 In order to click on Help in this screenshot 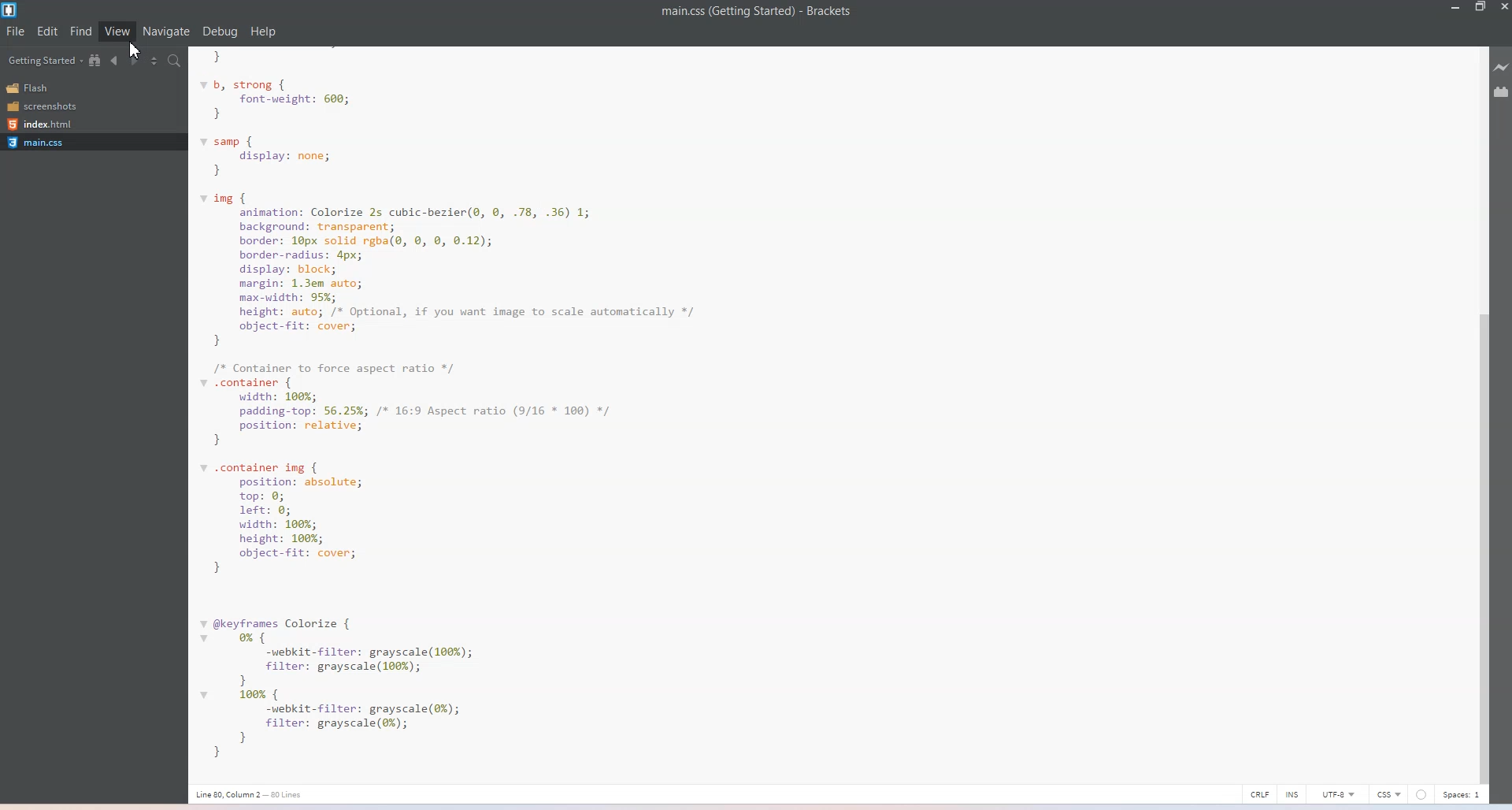, I will do `click(263, 32)`.